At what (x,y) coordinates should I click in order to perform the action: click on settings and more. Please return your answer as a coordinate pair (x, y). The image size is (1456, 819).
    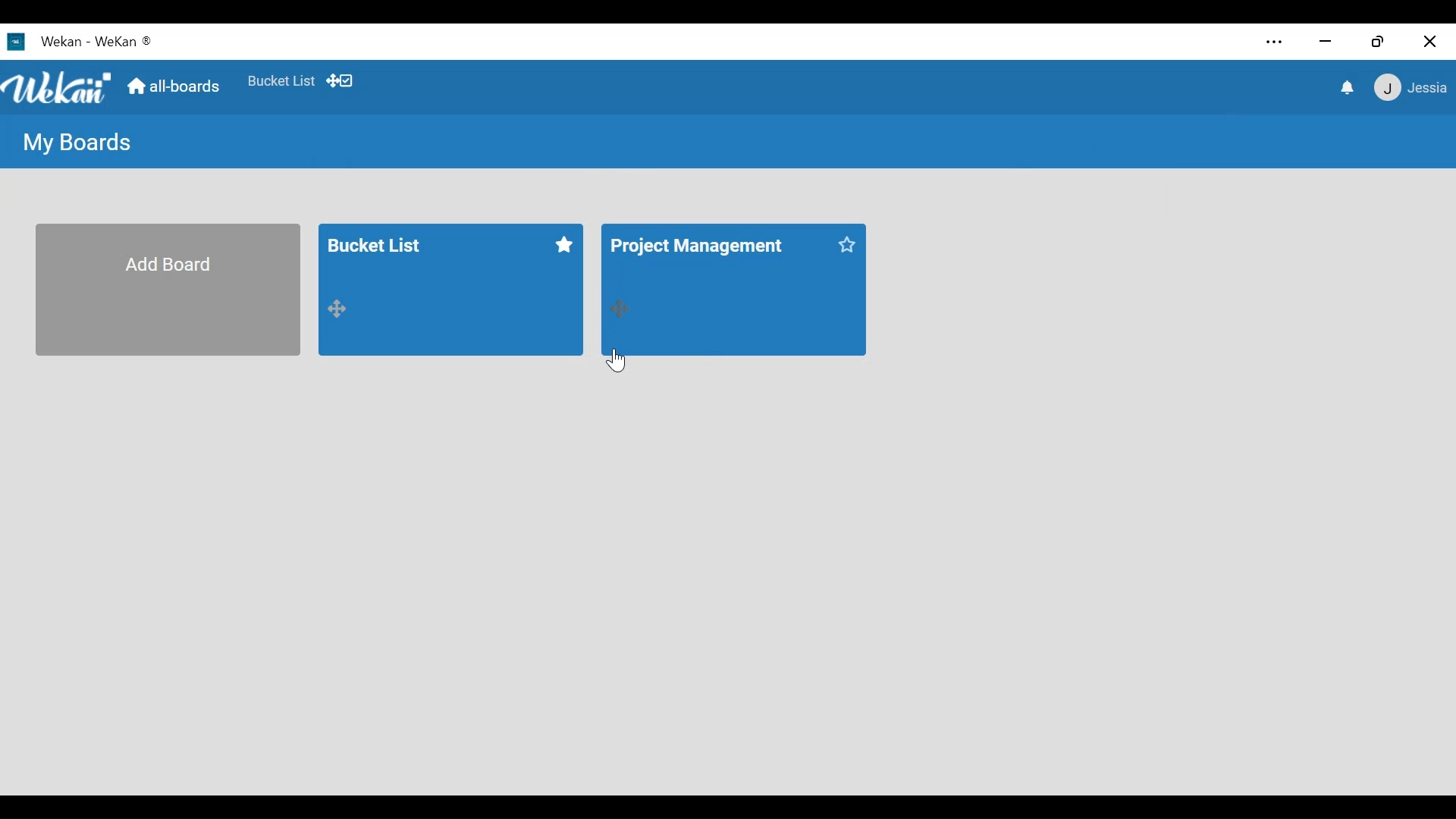
    Looking at the image, I should click on (1273, 42).